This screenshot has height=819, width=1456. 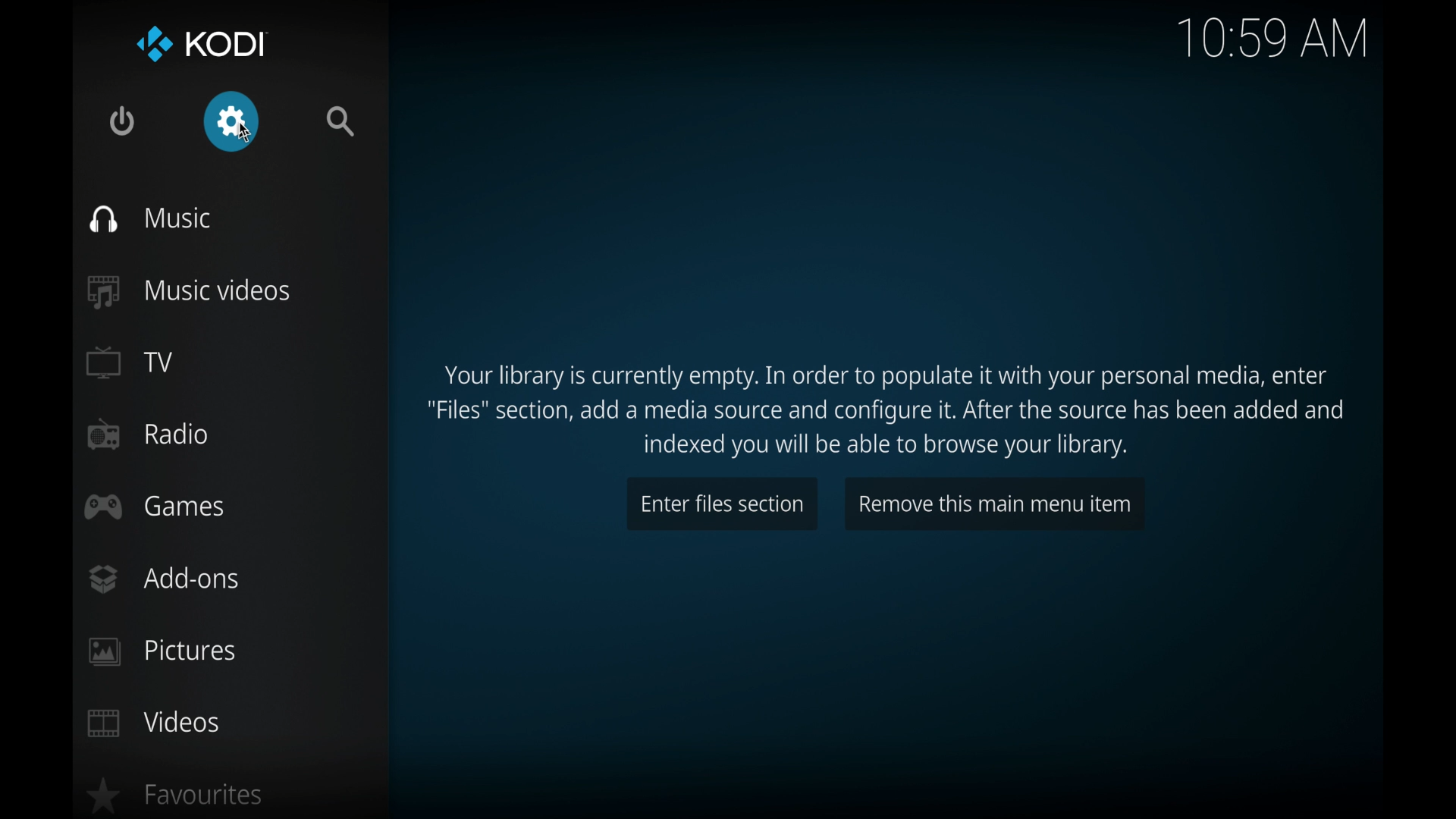 I want to click on instructions to populate media library, so click(x=883, y=412).